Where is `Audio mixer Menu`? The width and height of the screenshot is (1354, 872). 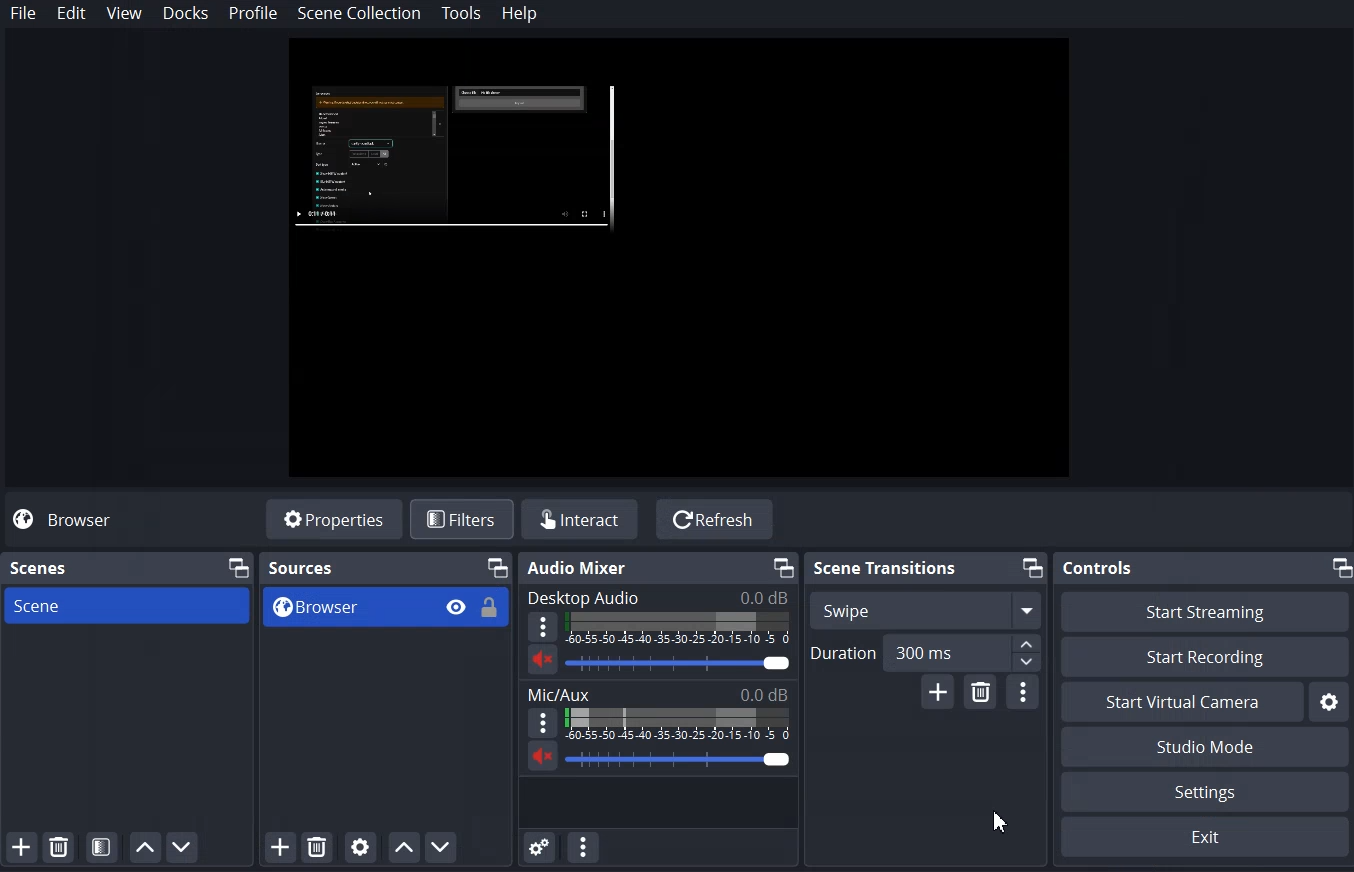
Audio mixer Menu is located at coordinates (584, 847).